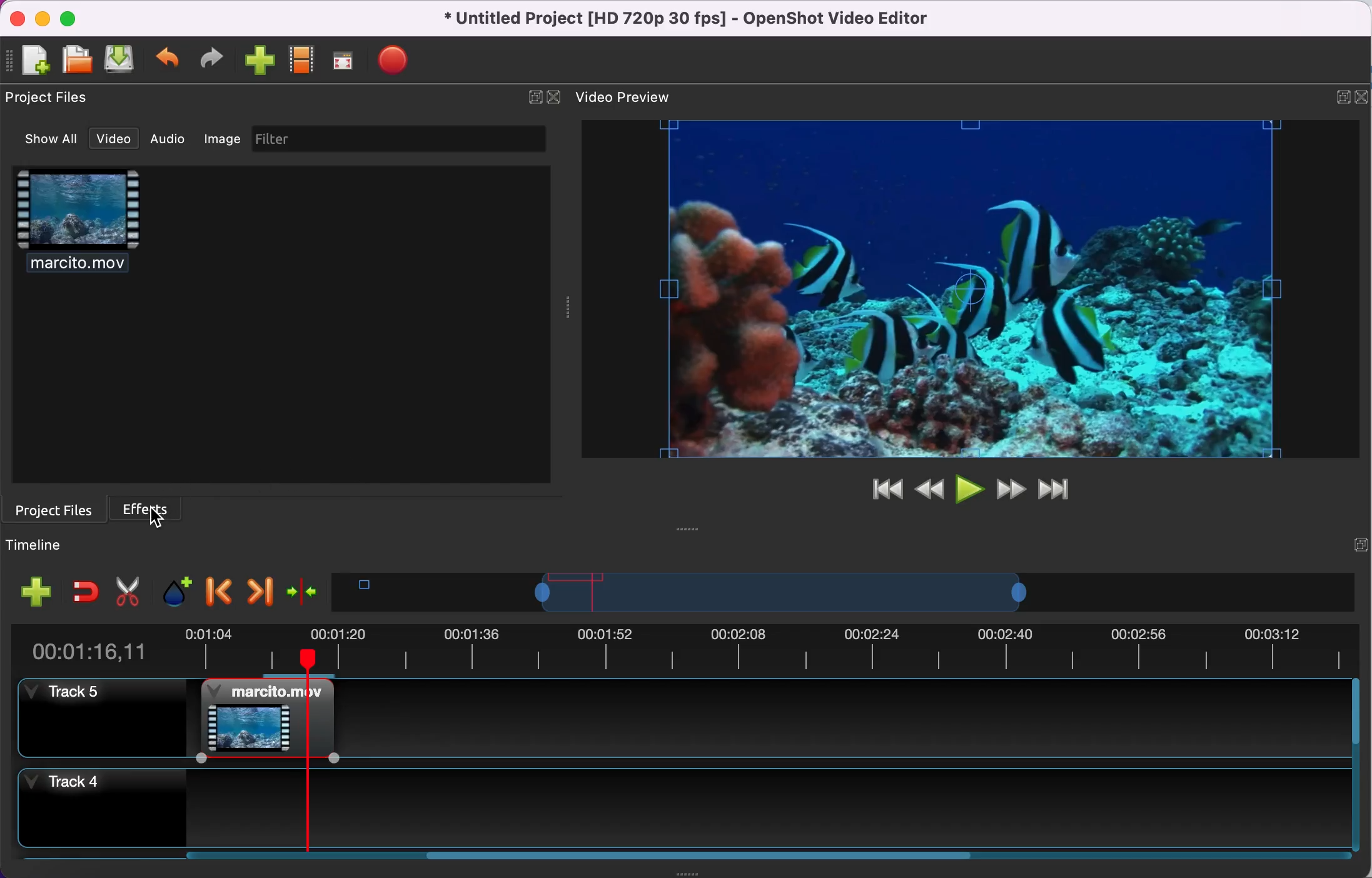 This screenshot has width=1372, height=878. What do you see at coordinates (929, 487) in the screenshot?
I see `review` at bounding box center [929, 487].